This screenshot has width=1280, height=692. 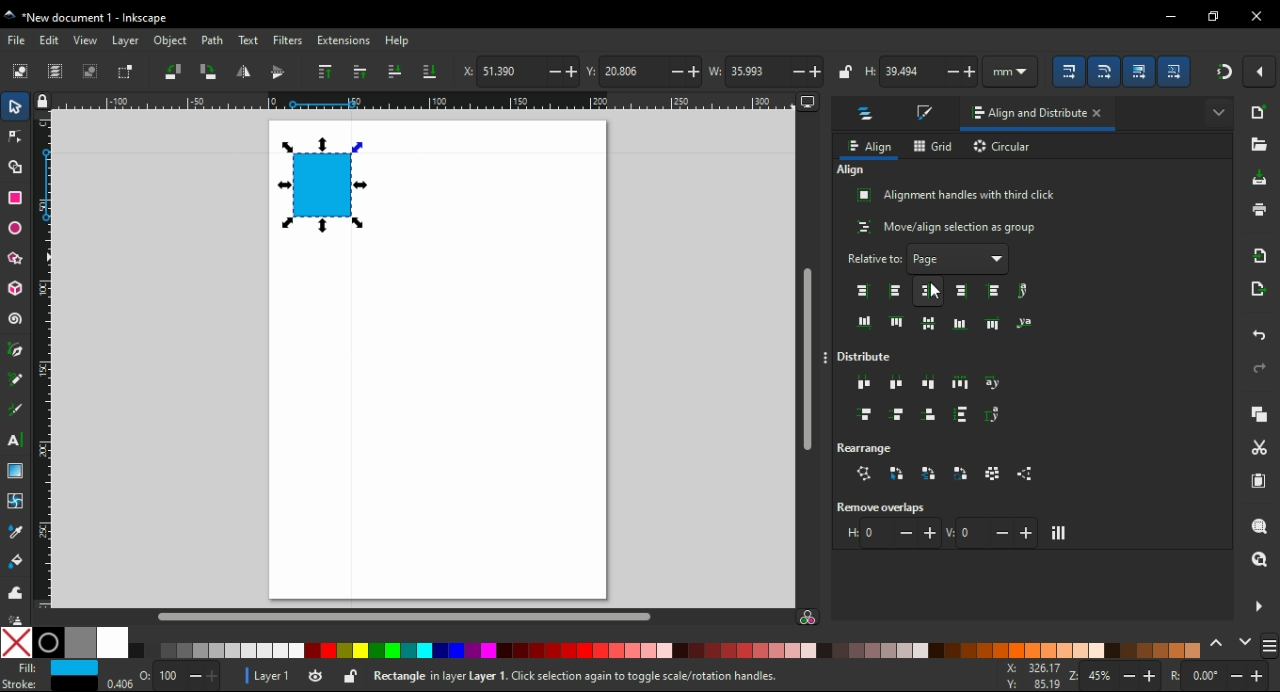 What do you see at coordinates (900, 416) in the screenshot?
I see `distribute vertically with even spacing between centers` at bounding box center [900, 416].